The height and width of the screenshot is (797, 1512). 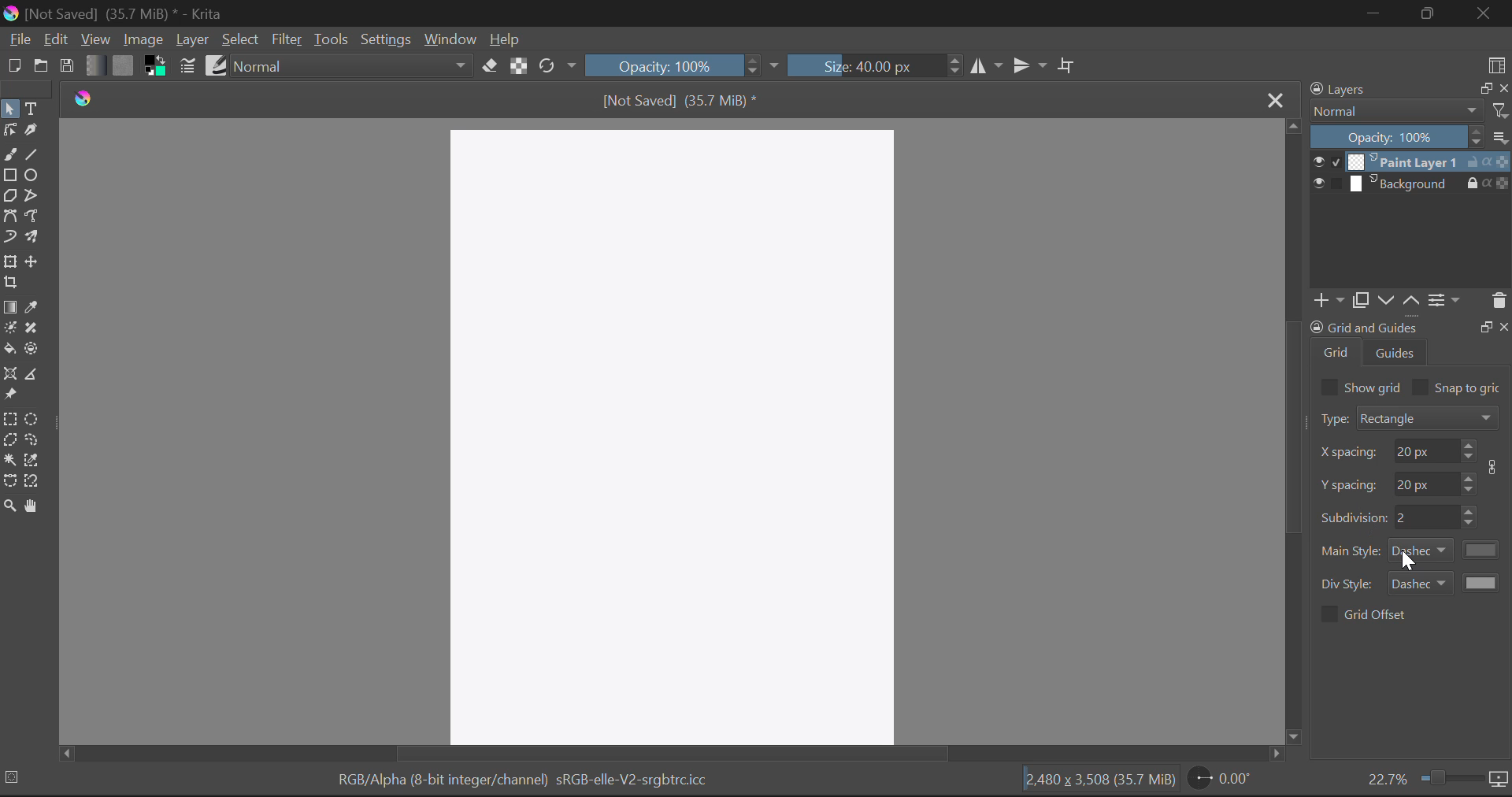 What do you see at coordinates (1332, 418) in the screenshot?
I see `type` at bounding box center [1332, 418].